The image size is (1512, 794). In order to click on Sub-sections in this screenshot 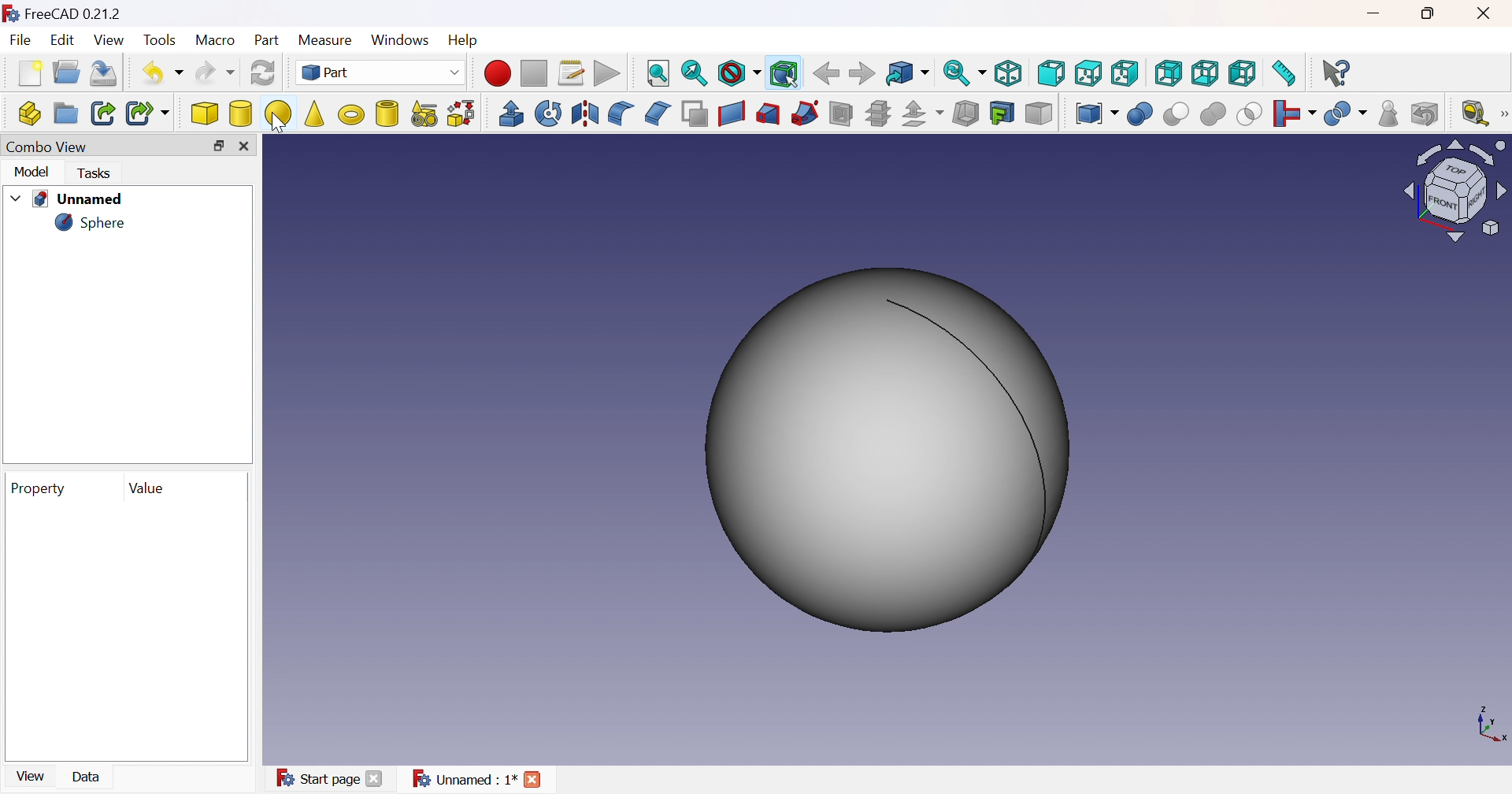, I will do `click(878, 112)`.